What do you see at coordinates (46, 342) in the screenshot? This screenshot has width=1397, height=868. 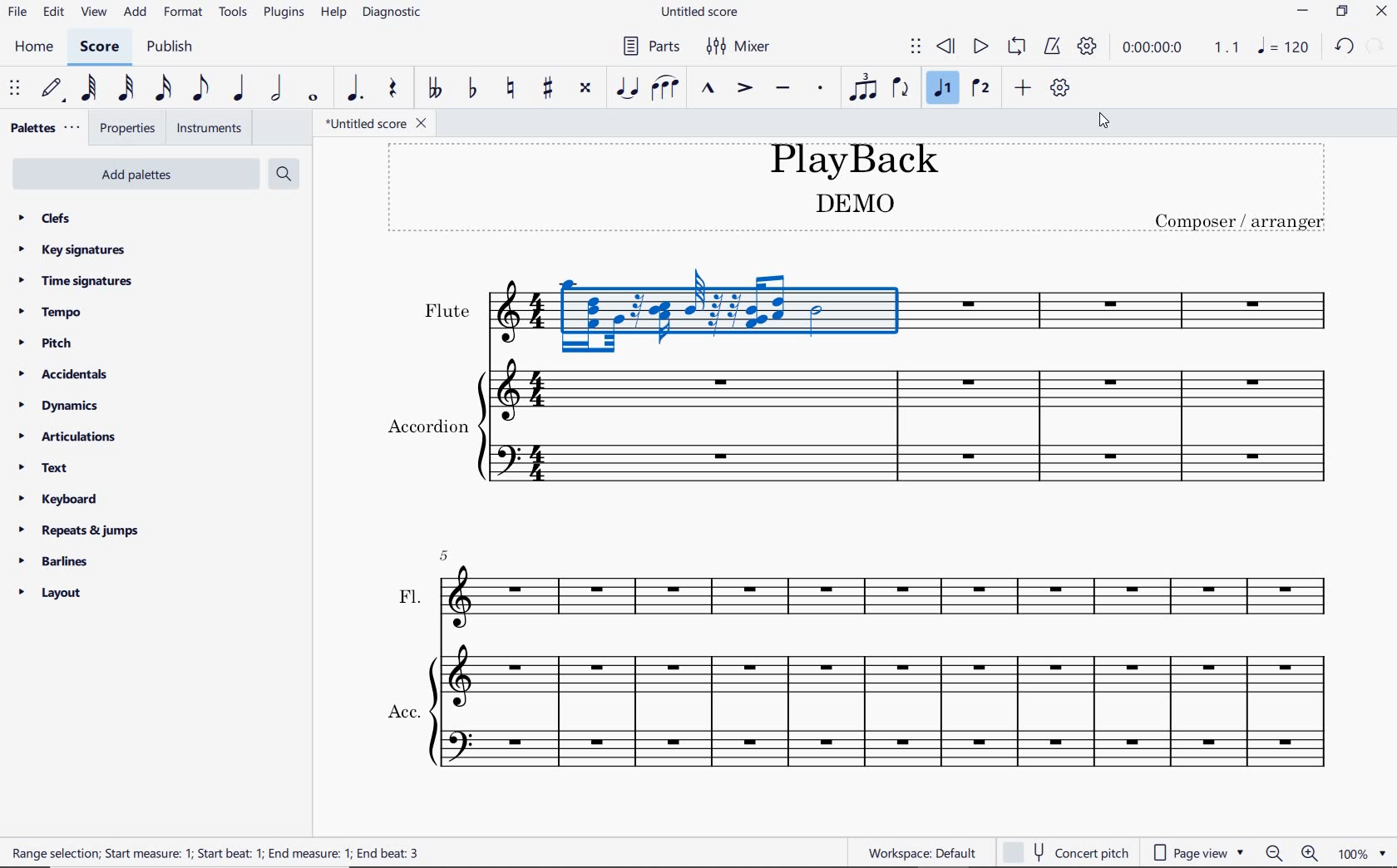 I see `pitch` at bounding box center [46, 342].